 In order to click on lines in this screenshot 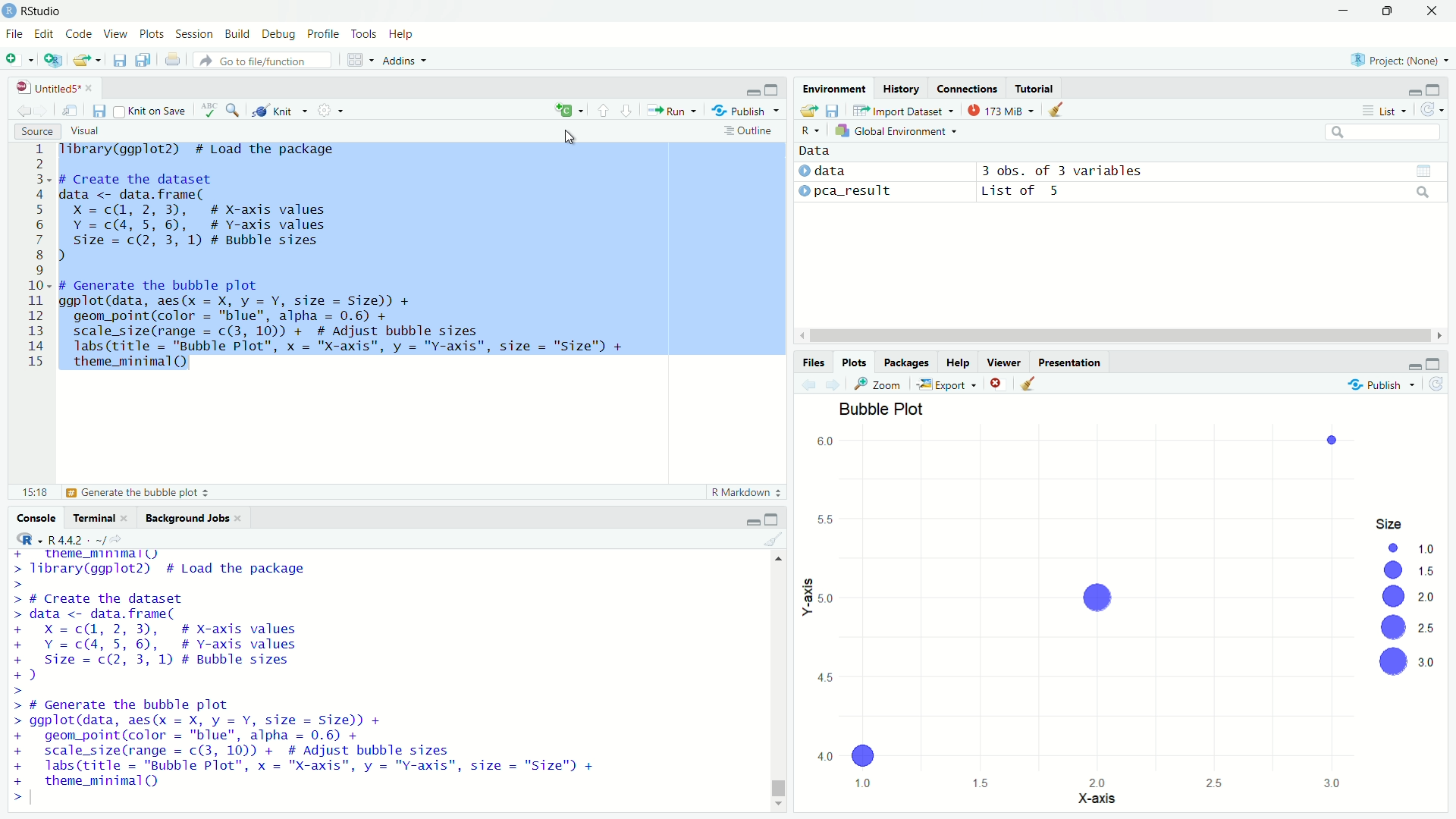, I will do `click(37, 260)`.